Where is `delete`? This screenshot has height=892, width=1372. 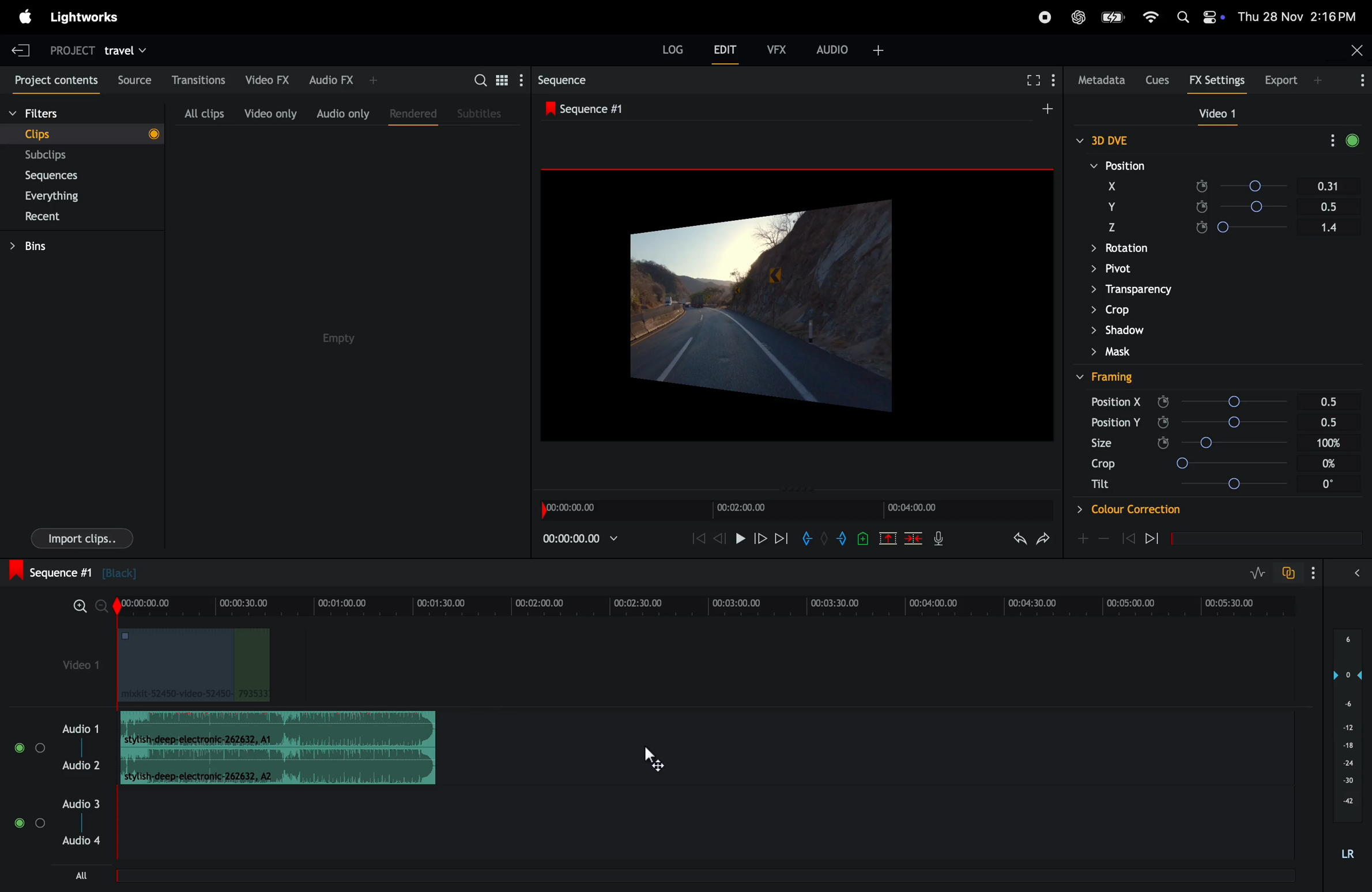
delete is located at coordinates (914, 539).